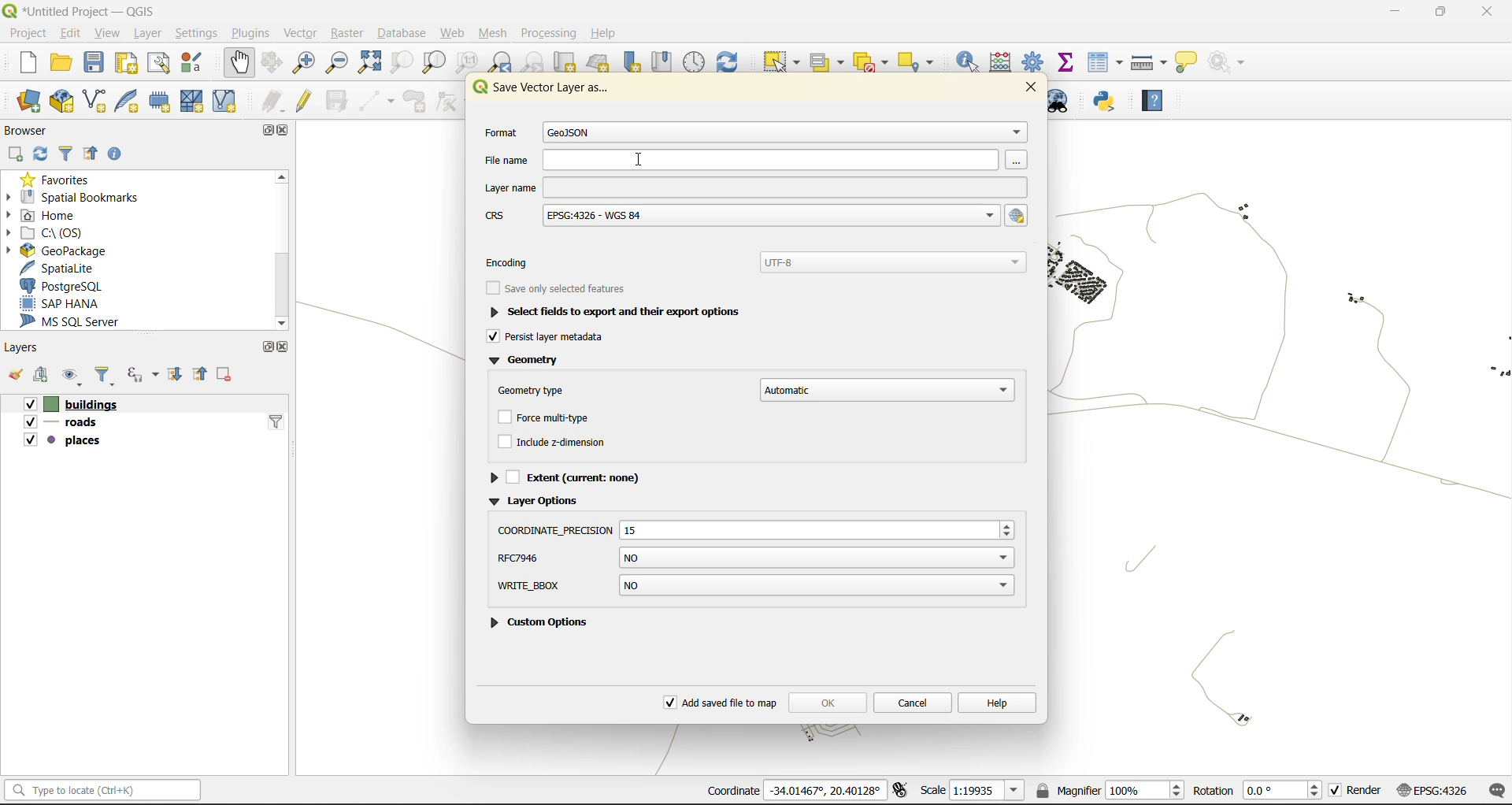  Describe the element at coordinates (106, 791) in the screenshot. I see `status  bar` at that location.